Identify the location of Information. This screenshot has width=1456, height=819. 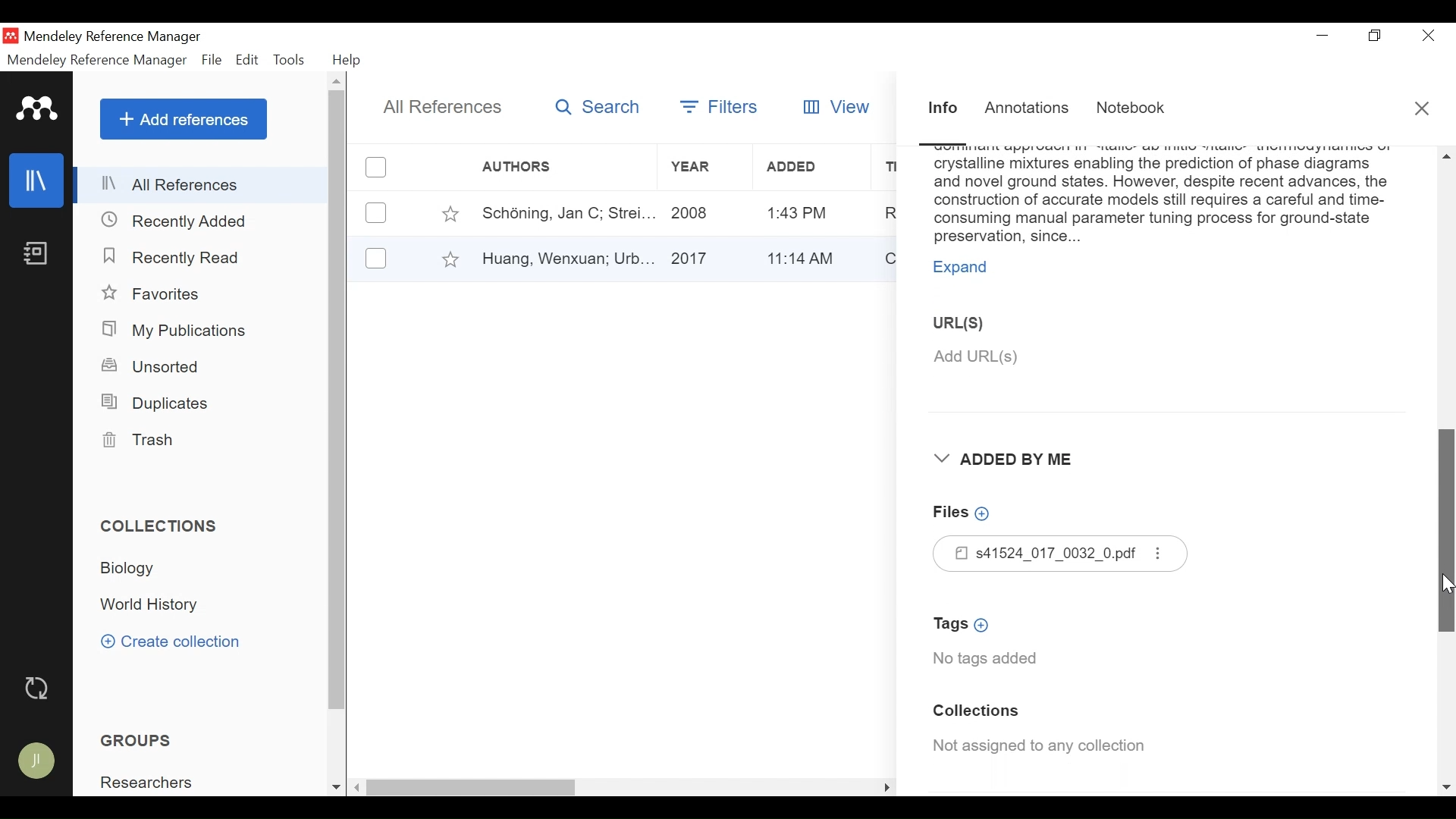
(944, 109).